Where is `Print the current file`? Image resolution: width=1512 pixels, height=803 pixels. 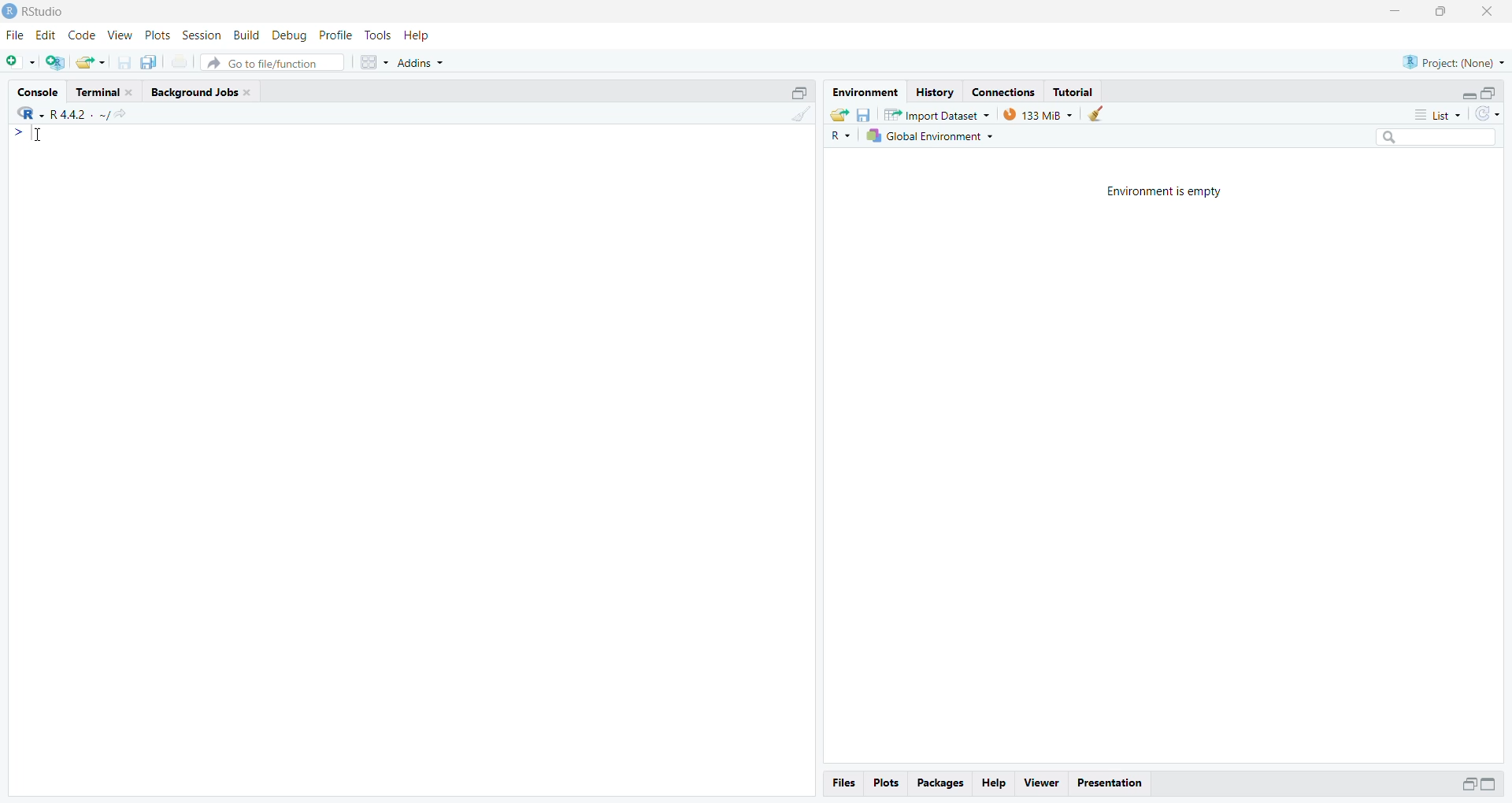
Print the current file is located at coordinates (178, 64).